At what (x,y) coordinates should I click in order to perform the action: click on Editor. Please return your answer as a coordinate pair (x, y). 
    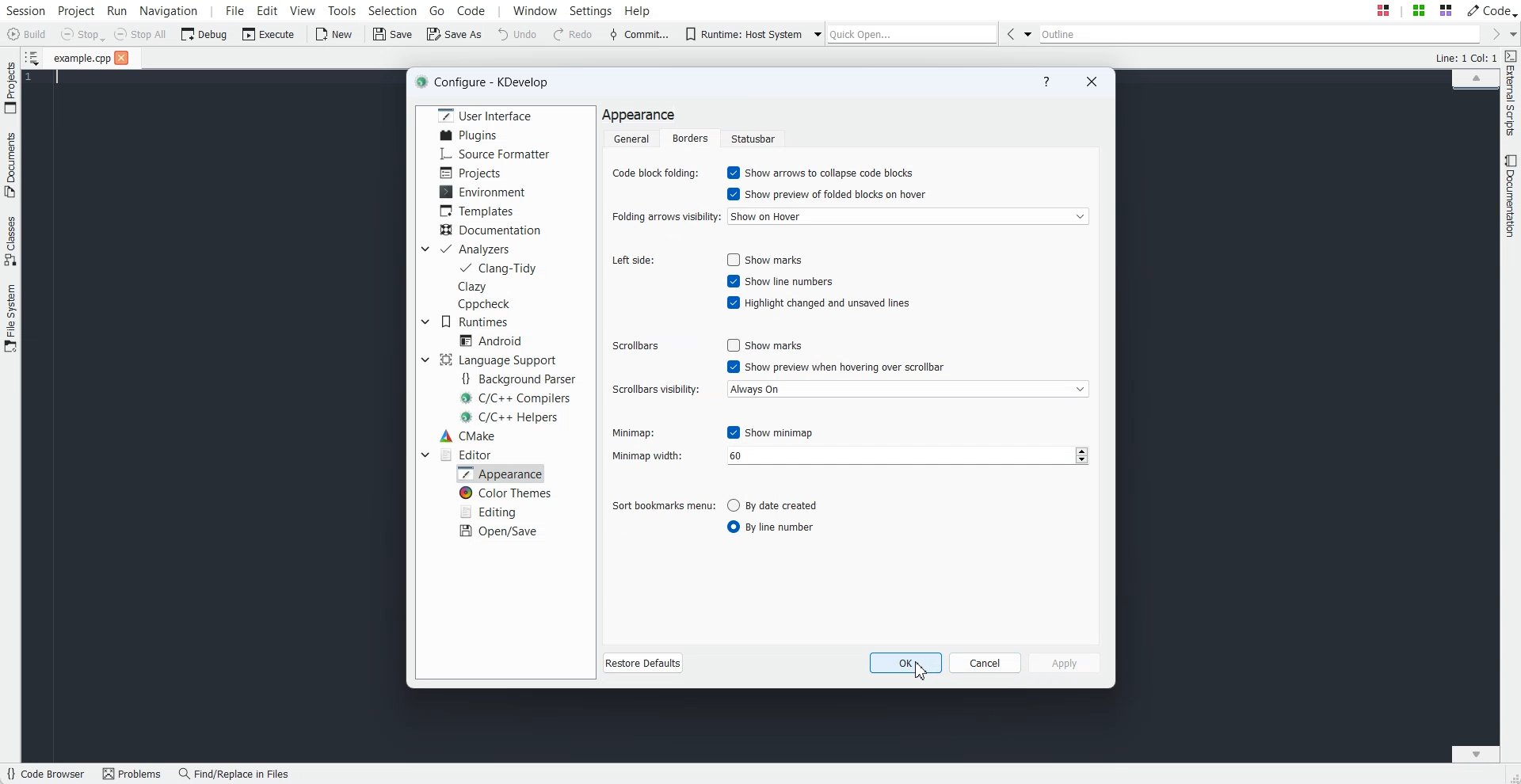
    Looking at the image, I should click on (467, 454).